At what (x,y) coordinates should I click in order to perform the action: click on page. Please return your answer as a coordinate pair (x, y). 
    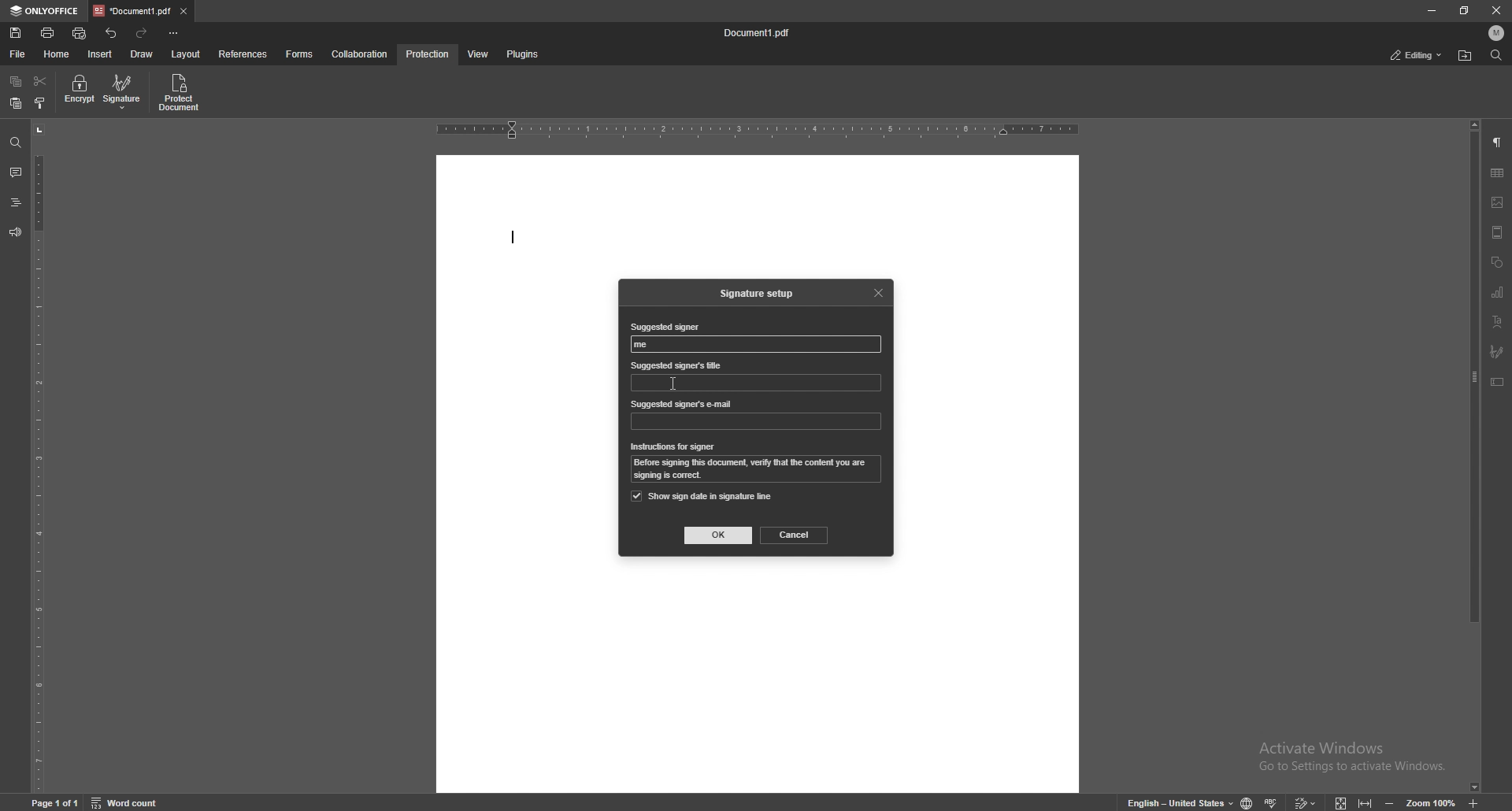
    Looking at the image, I should click on (57, 802).